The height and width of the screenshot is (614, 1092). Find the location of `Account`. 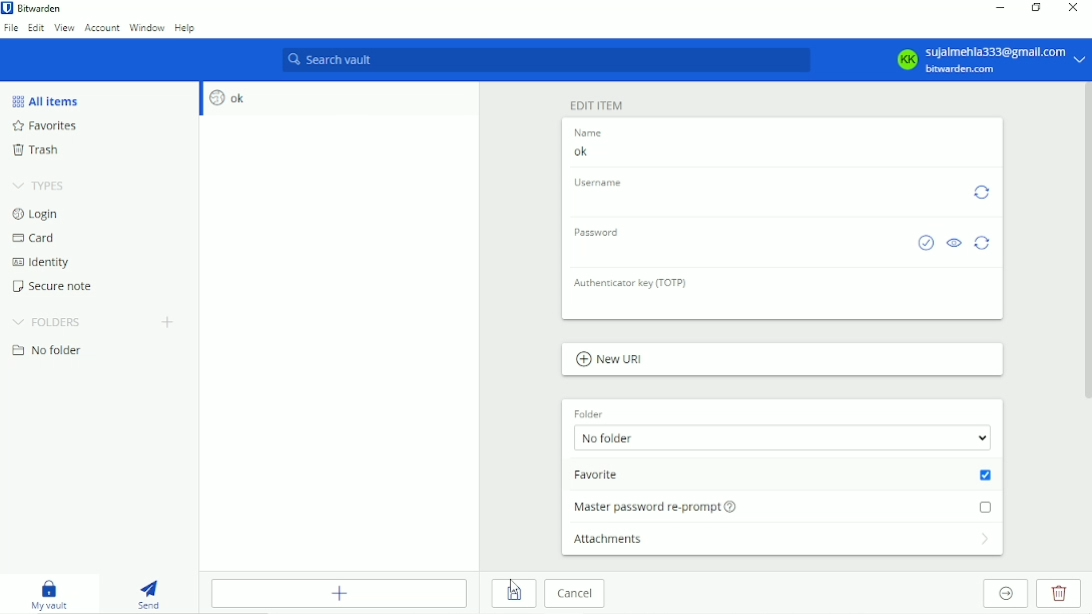

Account is located at coordinates (102, 28).